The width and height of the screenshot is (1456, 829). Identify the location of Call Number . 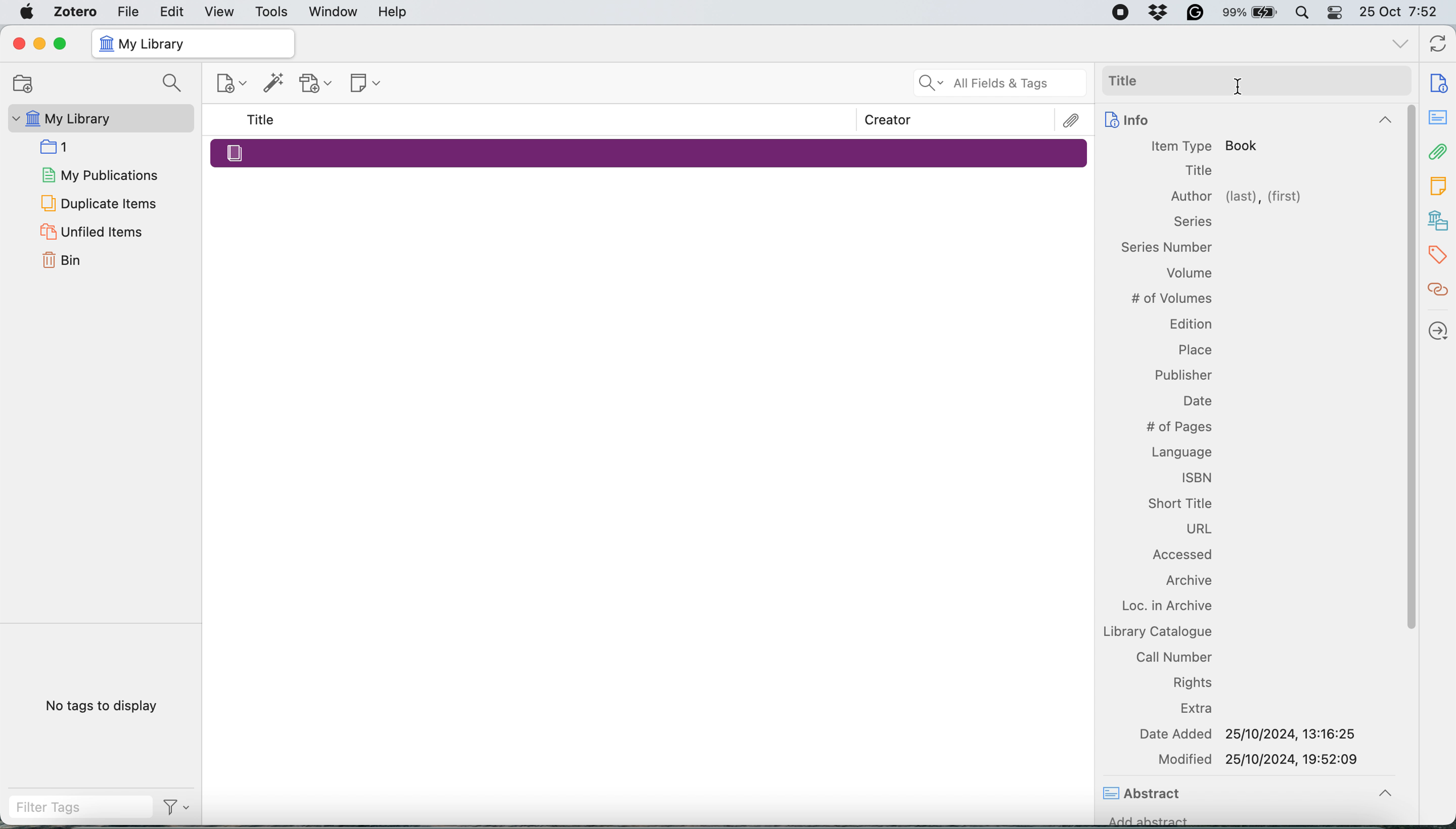
(1174, 656).